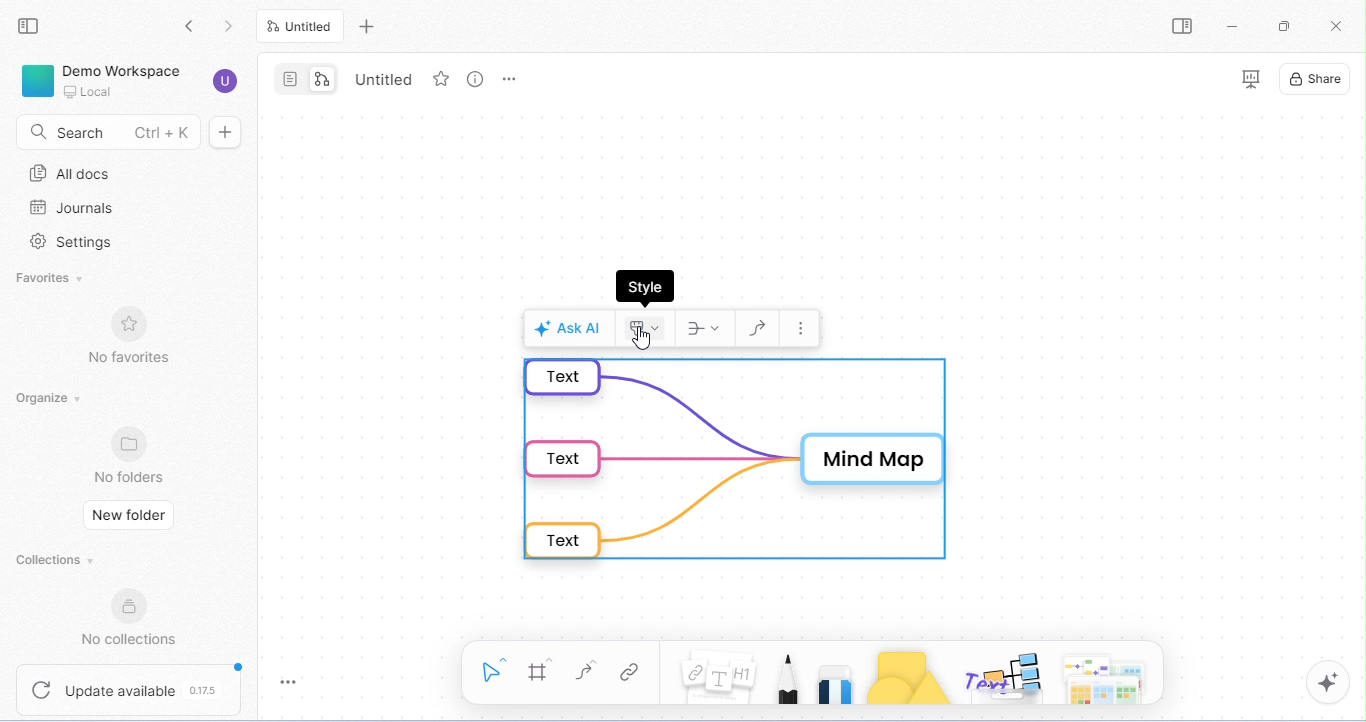  Describe the element at coordinates (490, 671) in the screenshot. I see `select` at that location.